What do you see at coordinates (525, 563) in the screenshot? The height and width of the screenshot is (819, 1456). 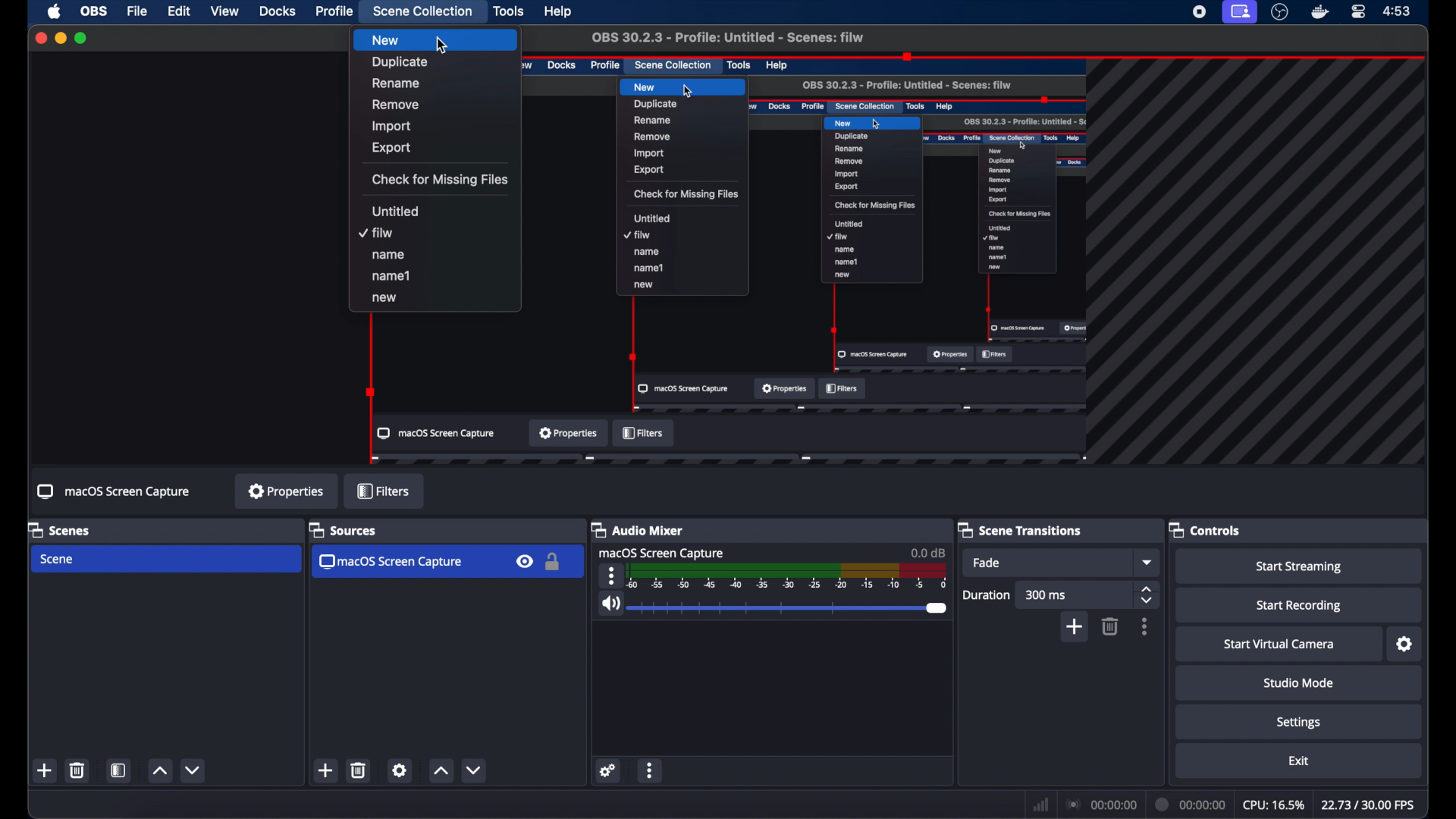 I see `visibility` at bounding box center [525, 563].